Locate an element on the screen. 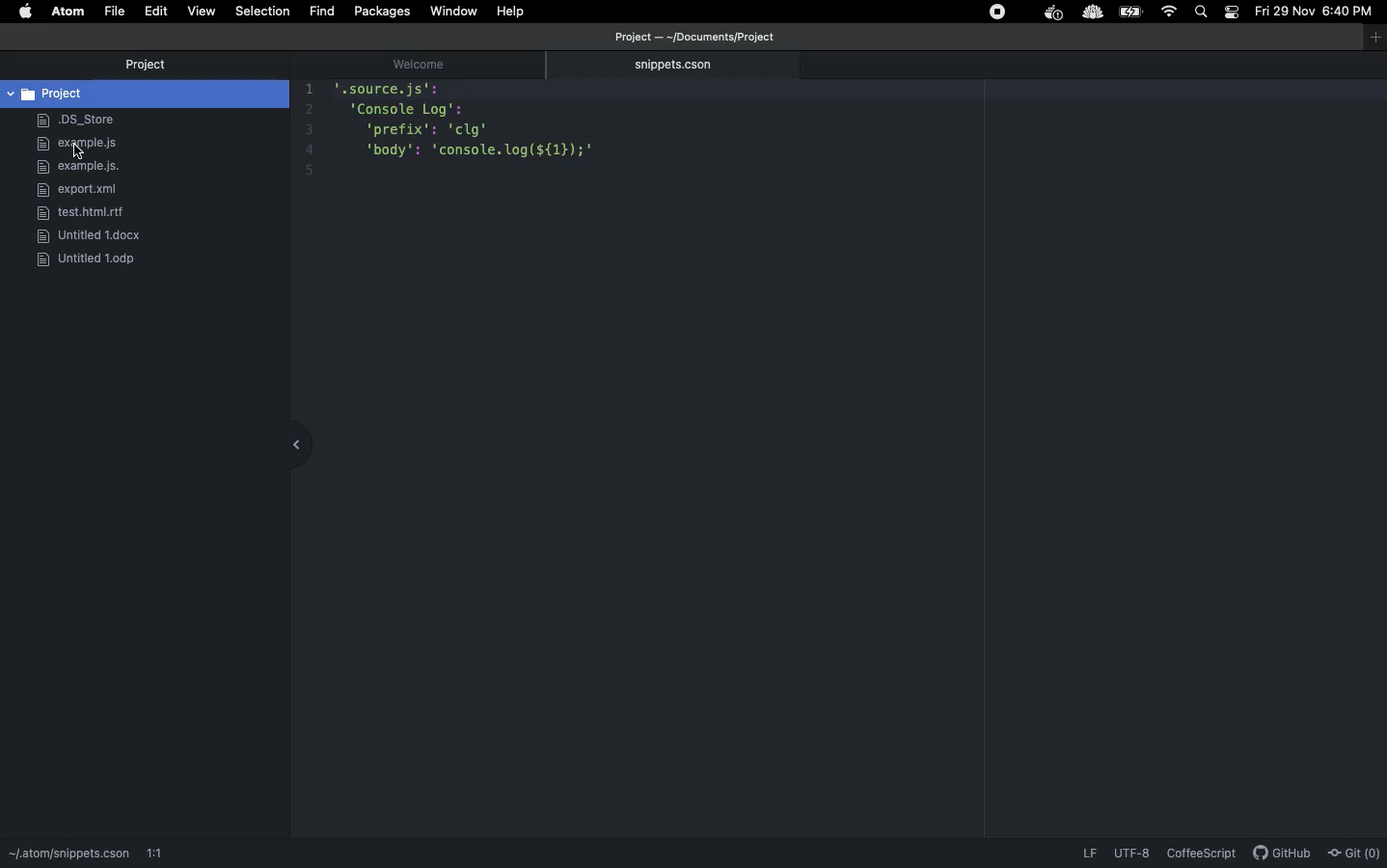  Notification is located at coordinates (1232, 12).